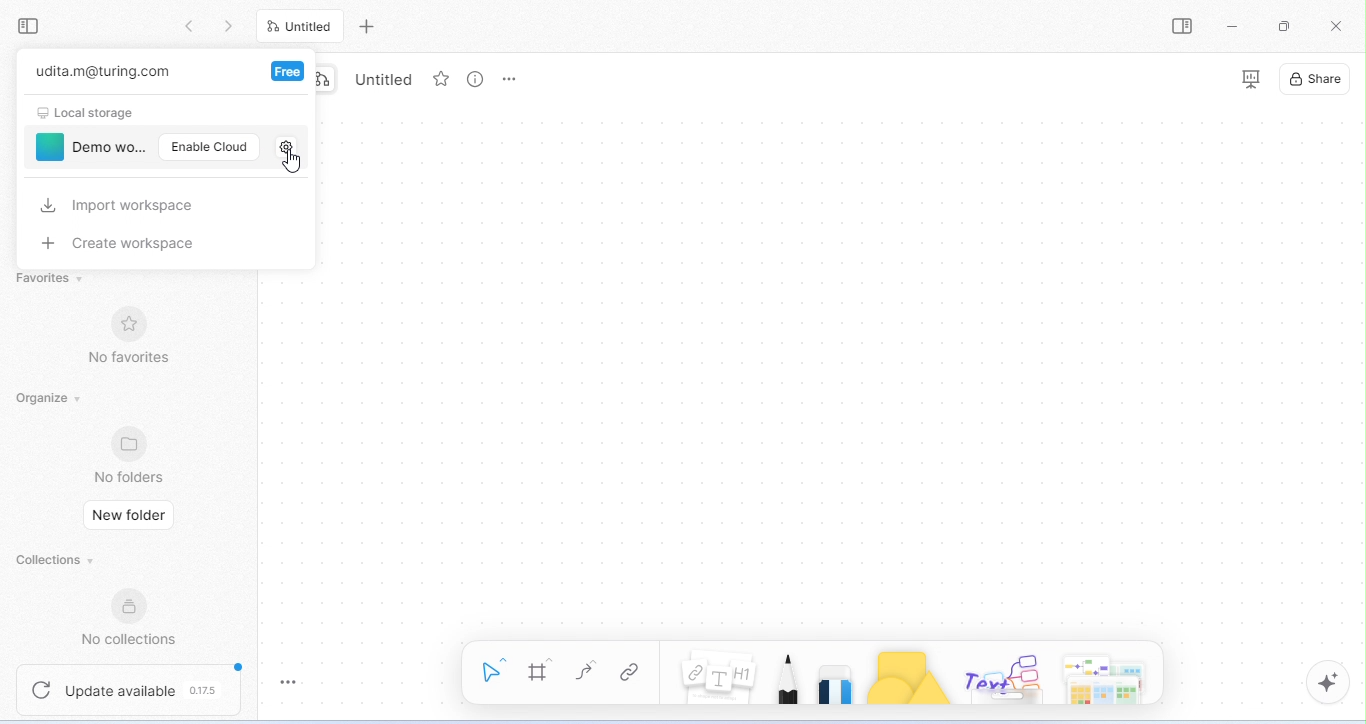 The height and width of the screenshot is (724, 1366). What do you see at coordinates (324, 79) in the screenshot?
I see `edgeless mode` at bounding box center [324, 79].